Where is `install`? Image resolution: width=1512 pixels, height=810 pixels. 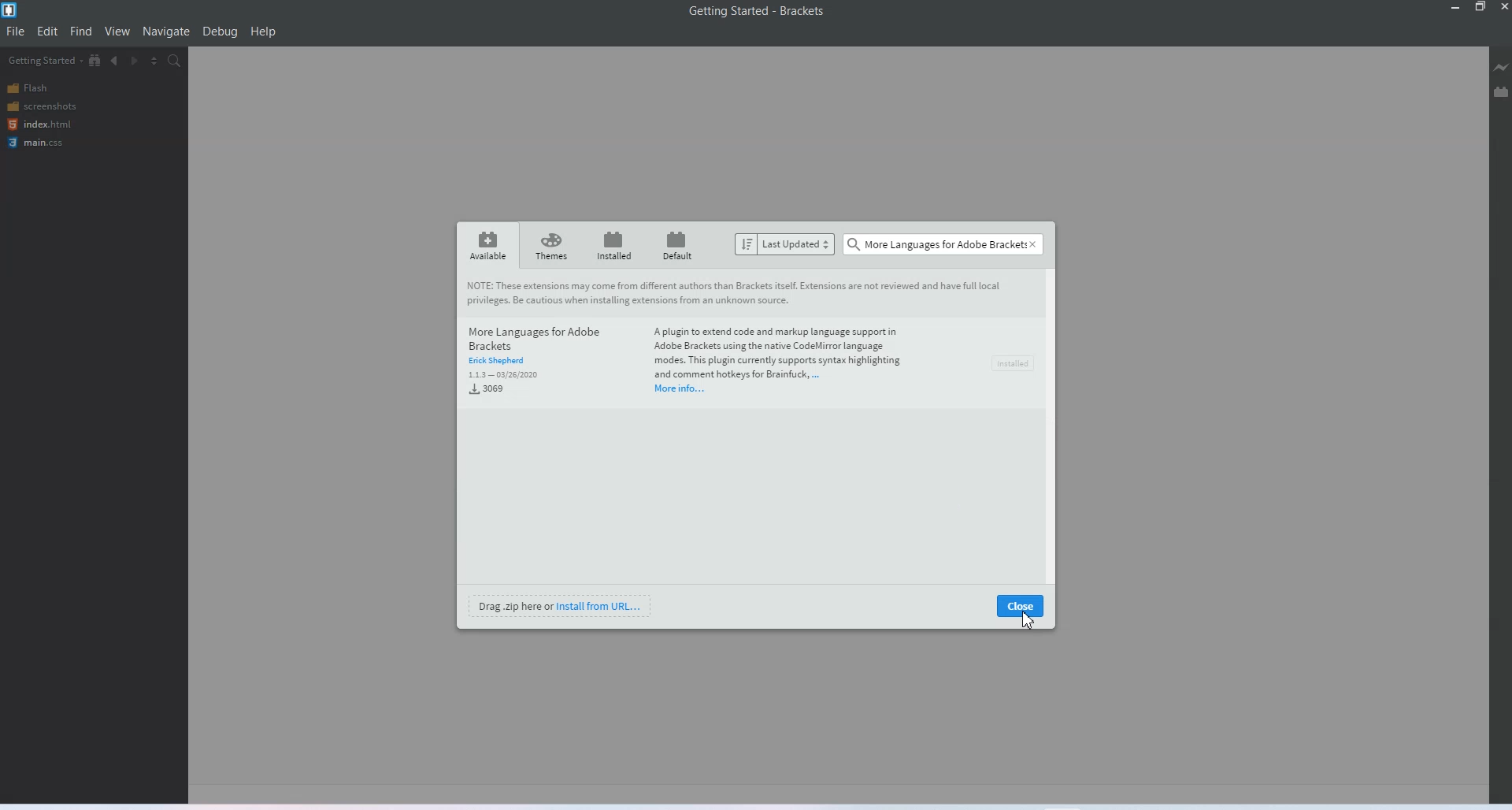
install is located at coordinates (1018, 363).